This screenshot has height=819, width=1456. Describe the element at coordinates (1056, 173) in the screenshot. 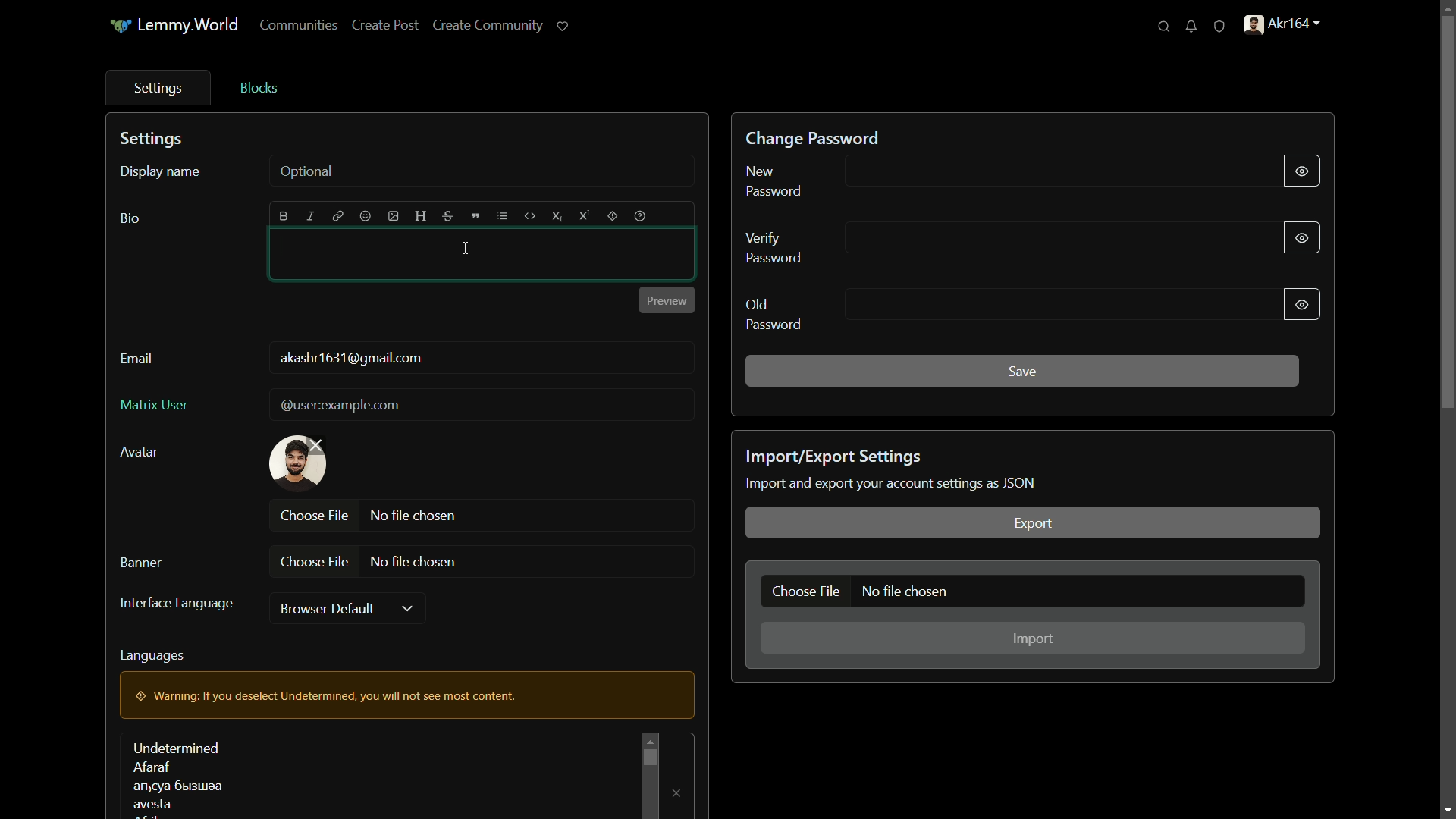

I see `new password input line` at that location.